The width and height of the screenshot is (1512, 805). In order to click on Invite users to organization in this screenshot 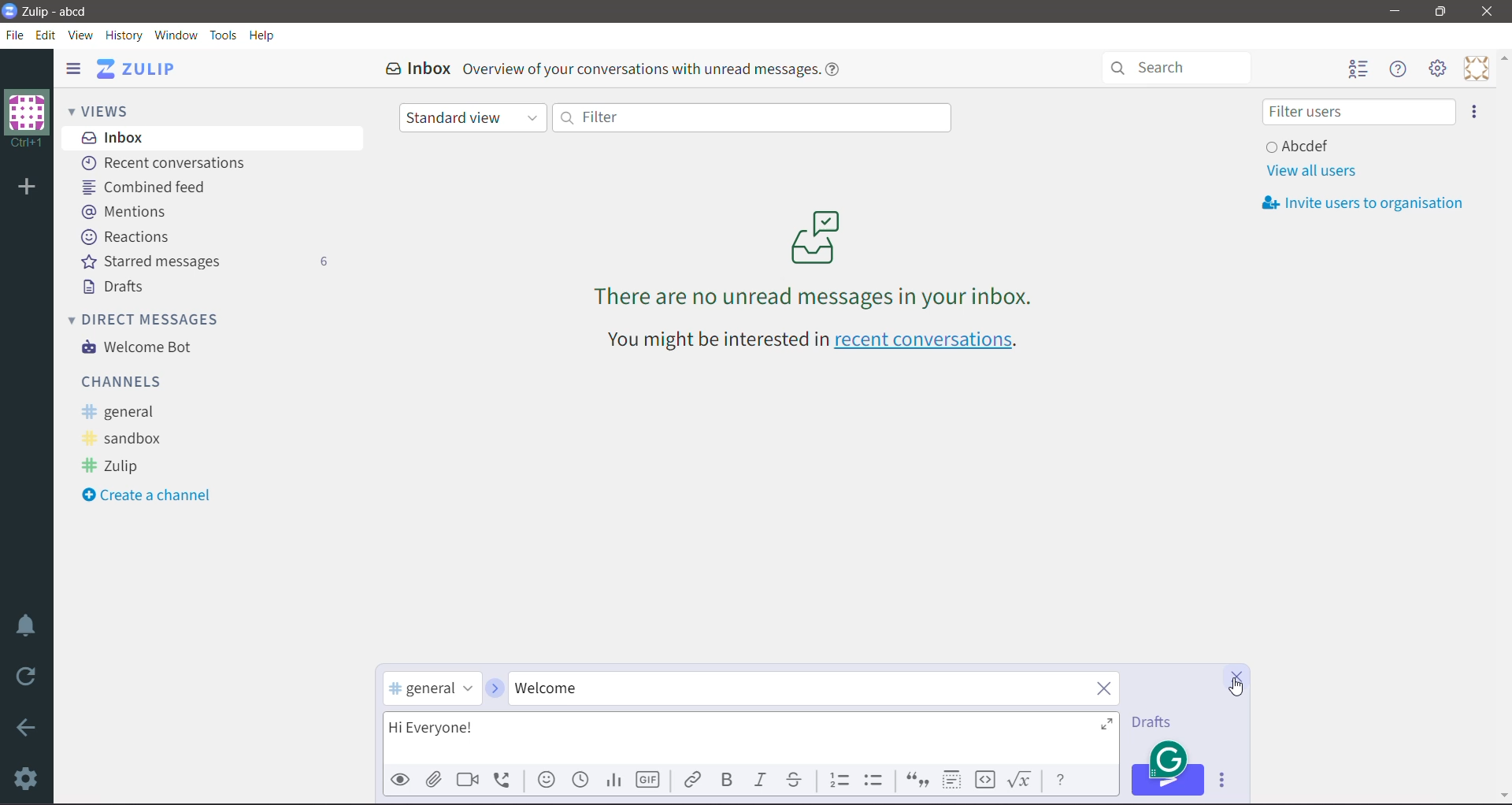, I will do `click(1475, 112)`.